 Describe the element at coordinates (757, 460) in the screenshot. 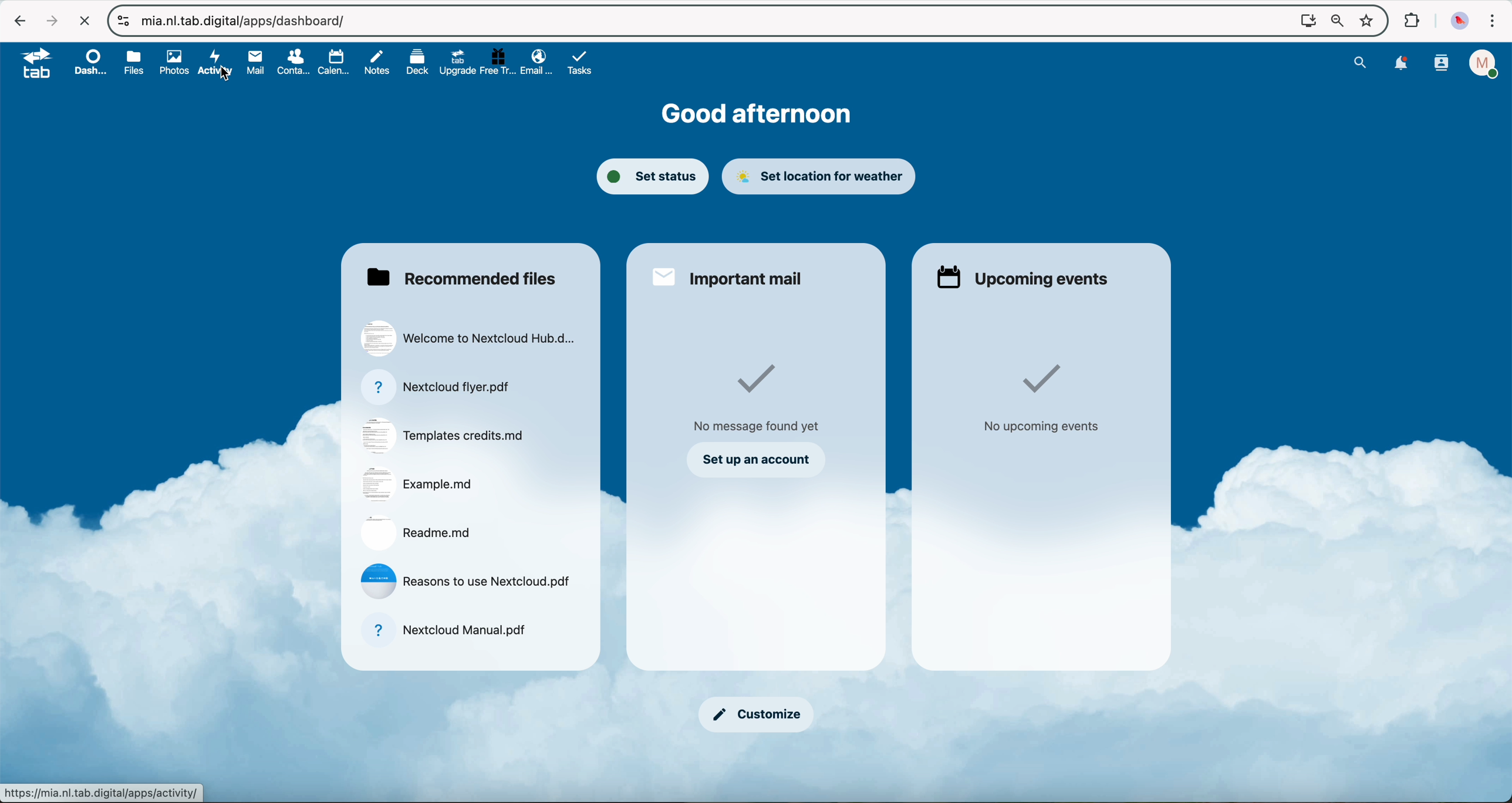

I see `set up an account` at that location.